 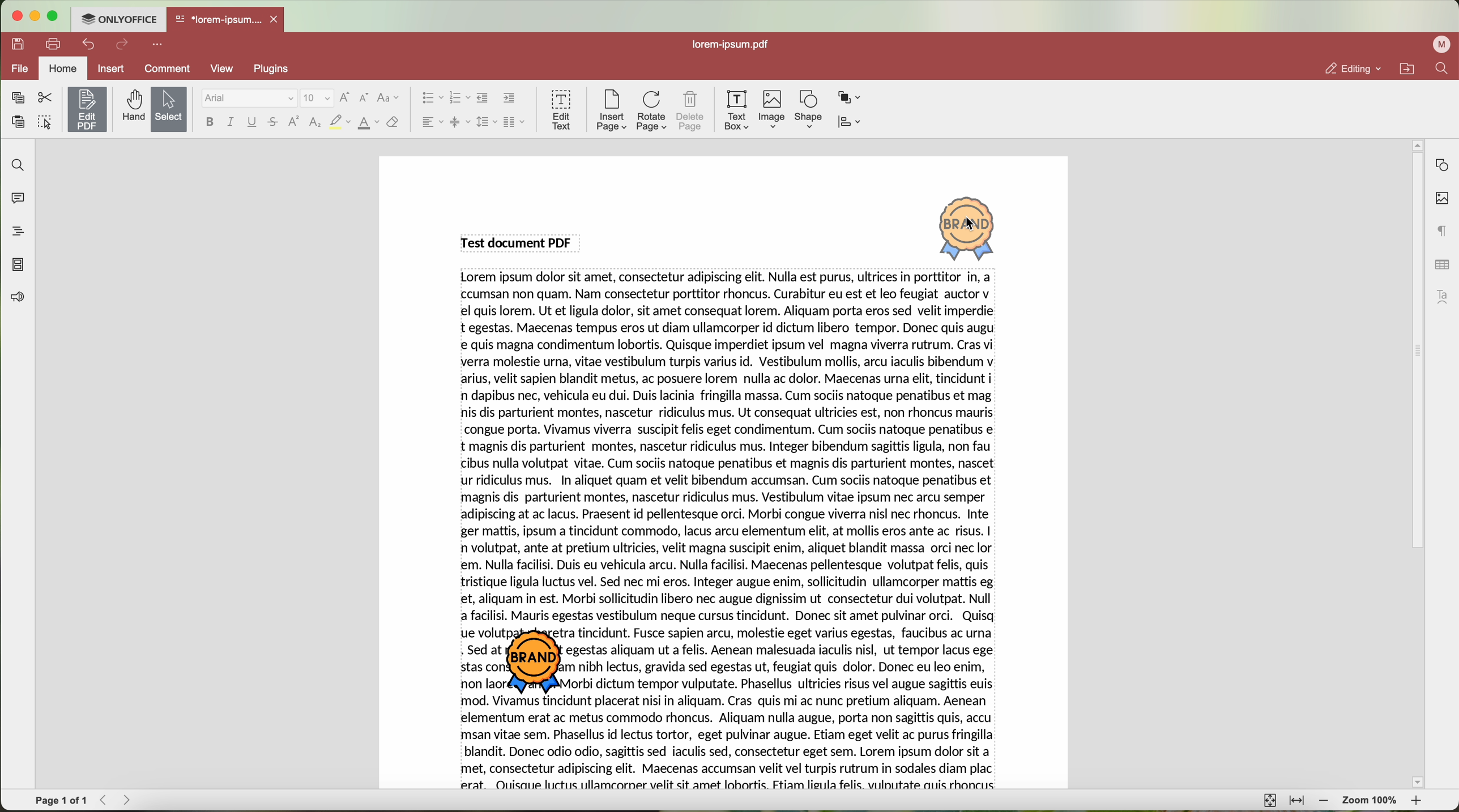 What do you see at coordinates (295, 121) in the screenshot?
I see `superscript` at bounding box center [295, 121].